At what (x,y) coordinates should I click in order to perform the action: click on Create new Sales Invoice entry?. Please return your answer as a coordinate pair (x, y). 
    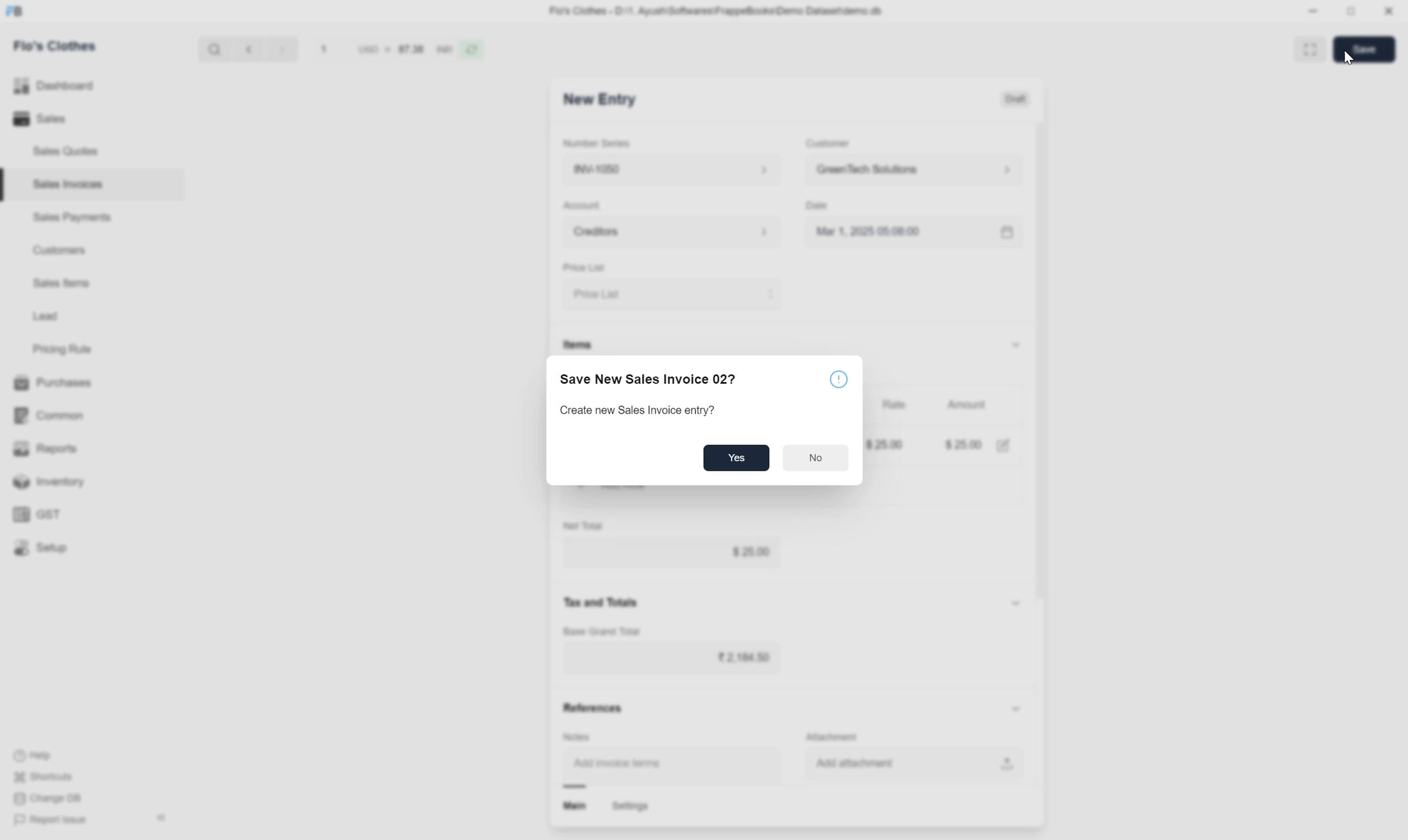
    Looking at the image, I should click on (653, 413).